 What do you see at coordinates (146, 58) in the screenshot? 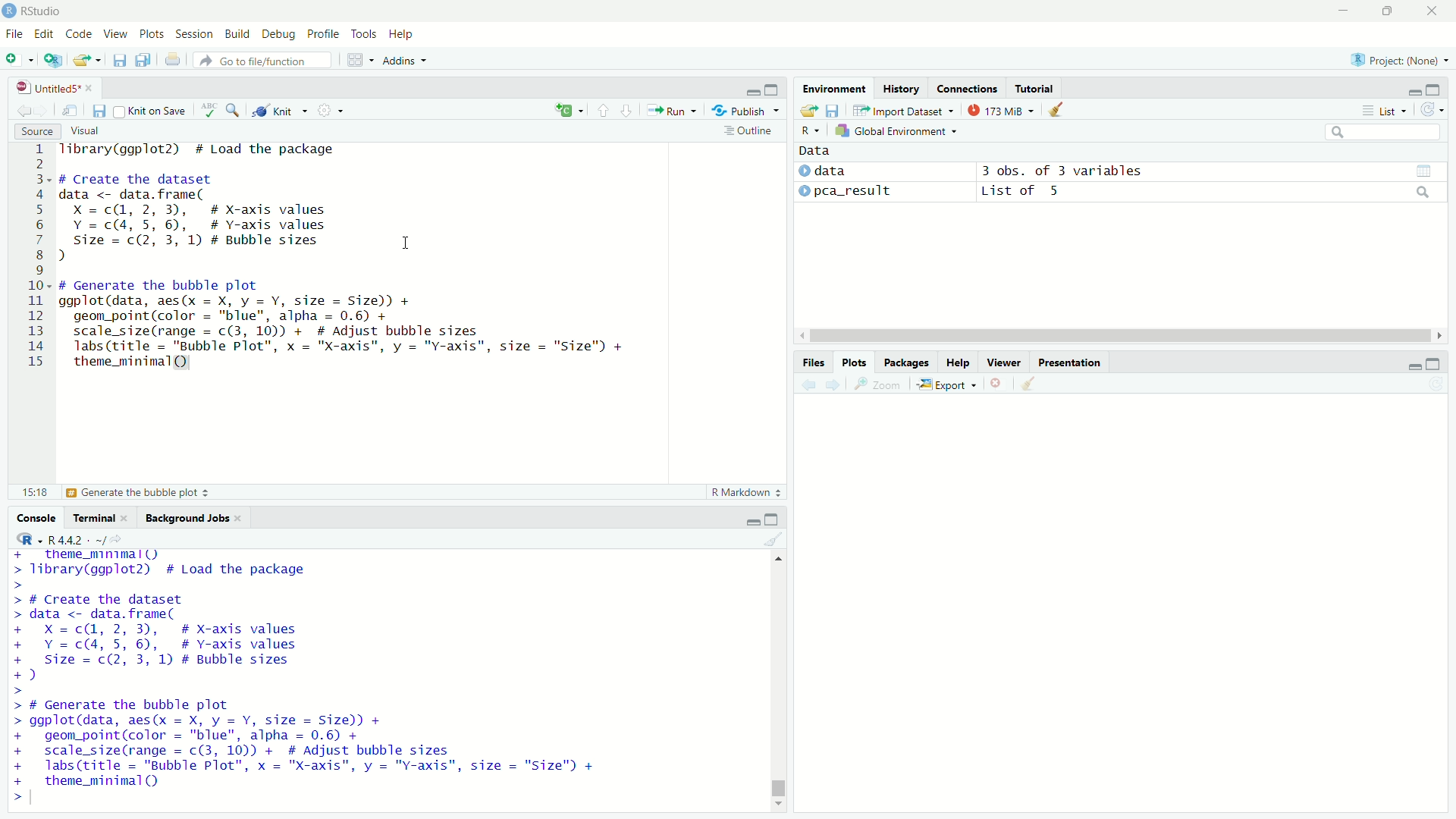
I see `save all documents` at bounding box center [146, 58].